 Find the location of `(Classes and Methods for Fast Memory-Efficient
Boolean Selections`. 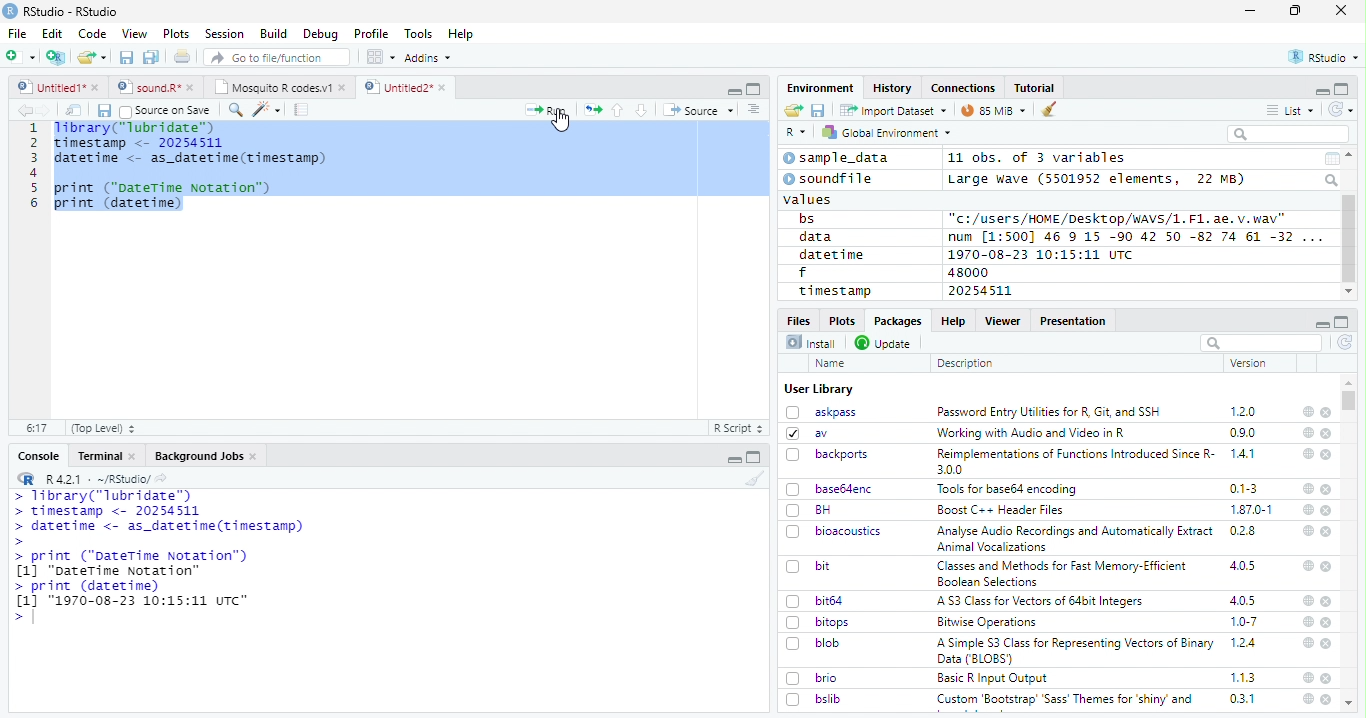

(Classes and Methods for Fast Memory-Efficient
Boolean Selections is located at coordinates (1064, 573).